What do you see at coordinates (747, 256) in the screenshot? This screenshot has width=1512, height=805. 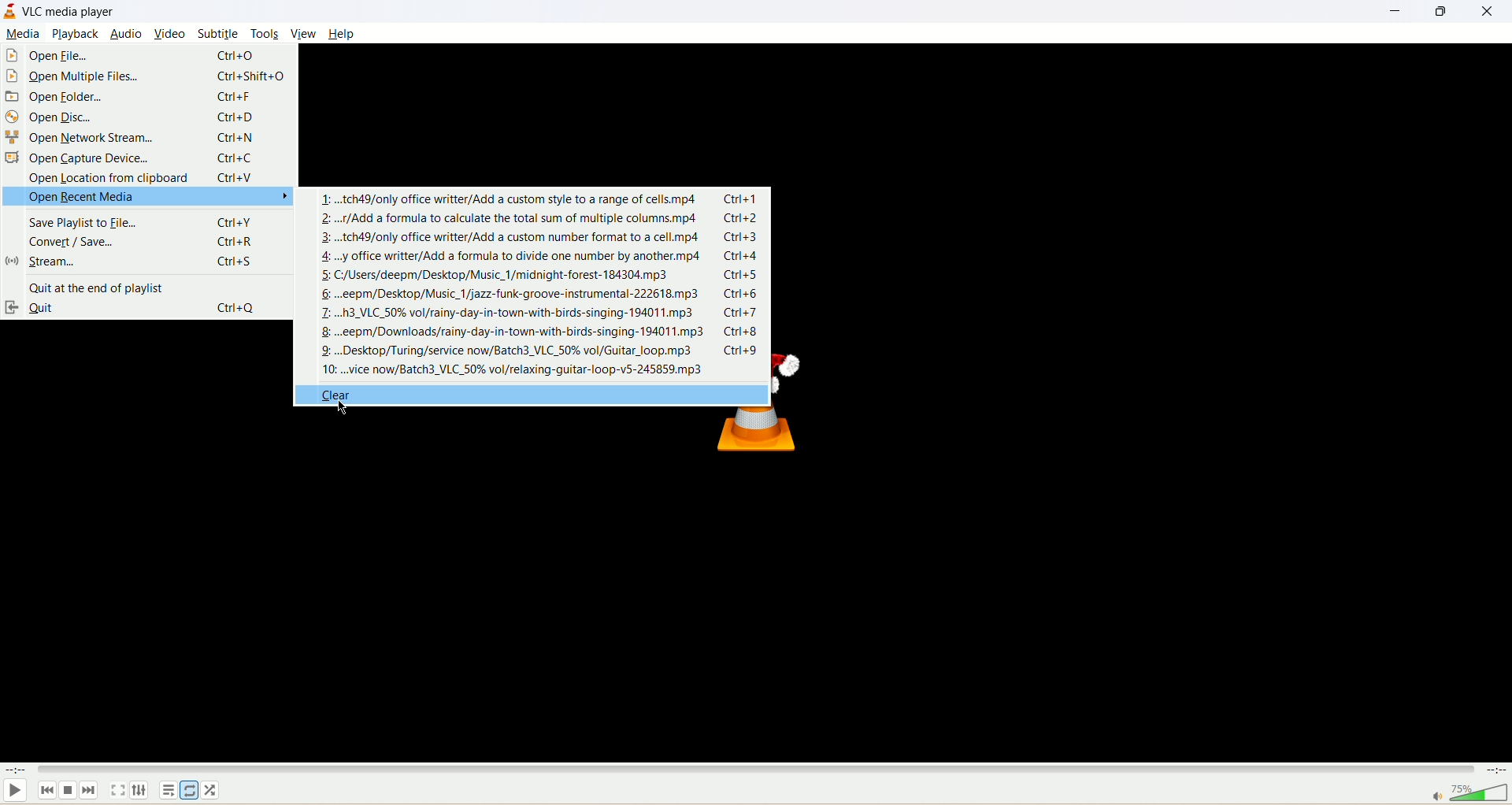 I see `ctrl+4` at bounding box center [747, 256].